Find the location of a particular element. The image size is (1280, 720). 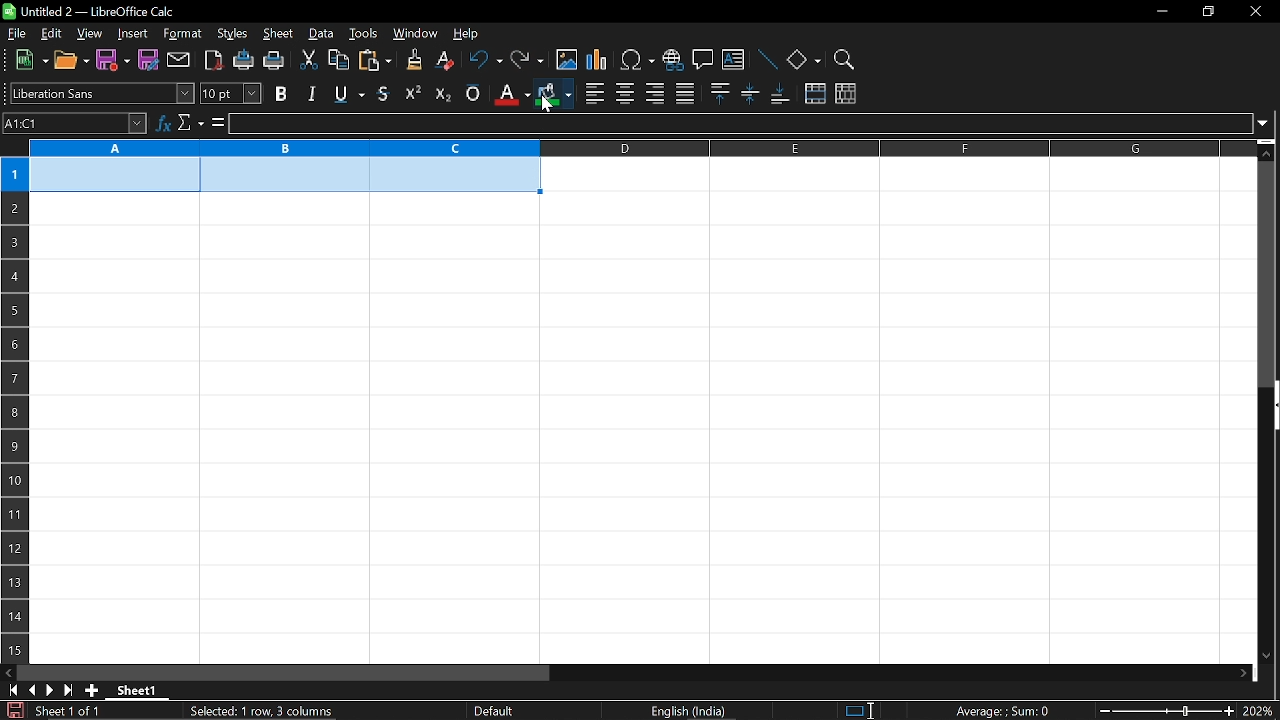

insert image is located at coordinates (566, 61).